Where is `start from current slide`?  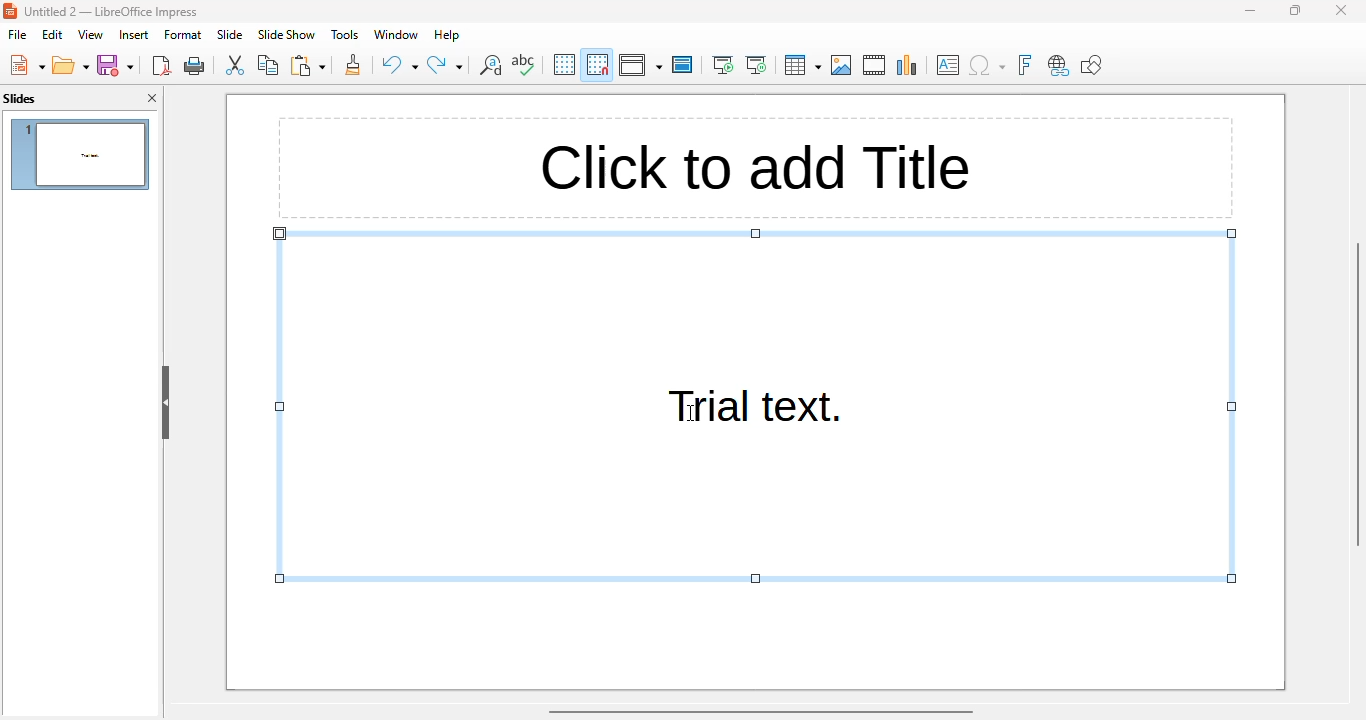
start from current slide is located at coordinates (757, 65).